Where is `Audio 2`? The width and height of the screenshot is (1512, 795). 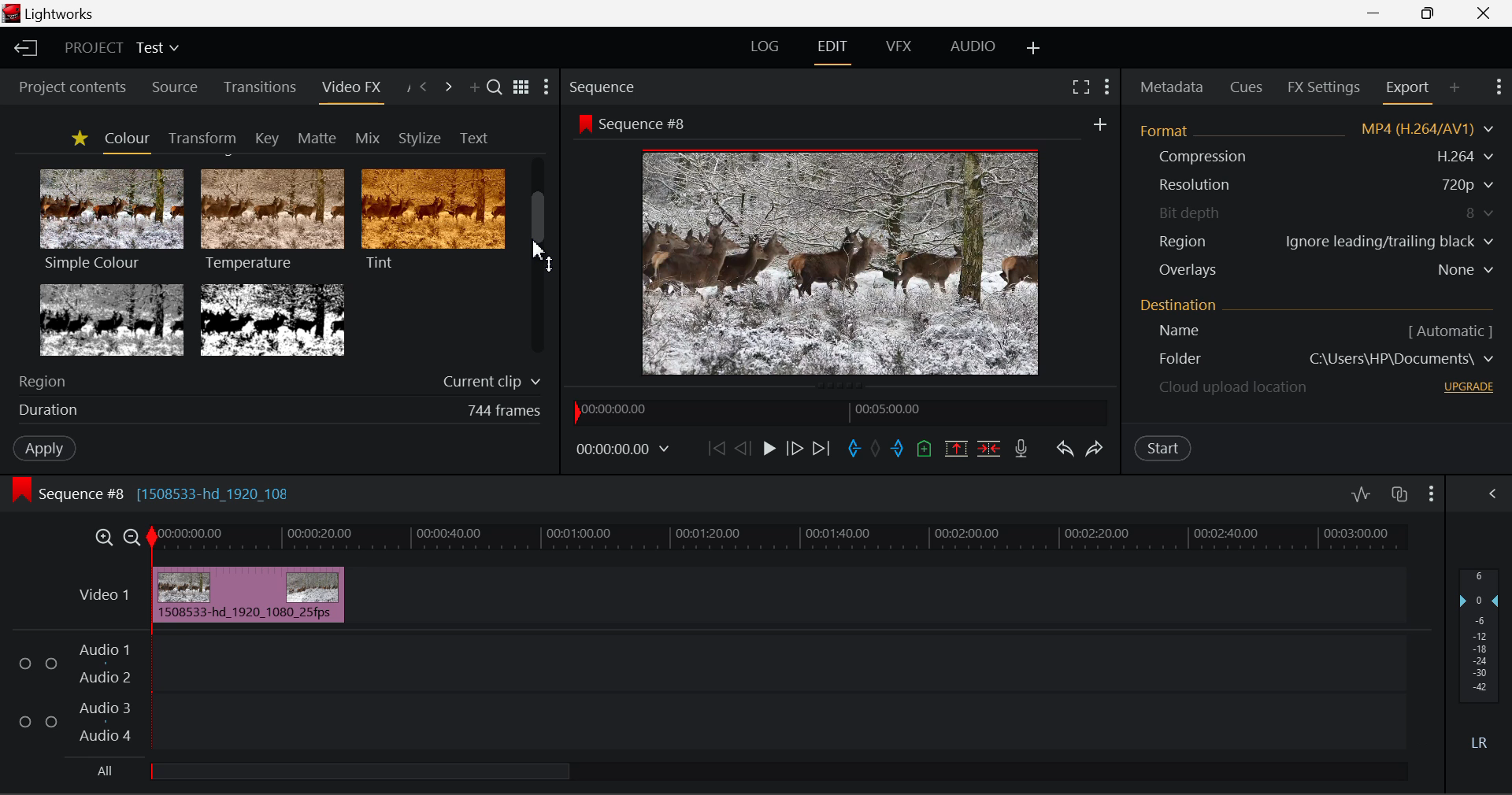
Audio 2 is located at coordinates (98, 675).